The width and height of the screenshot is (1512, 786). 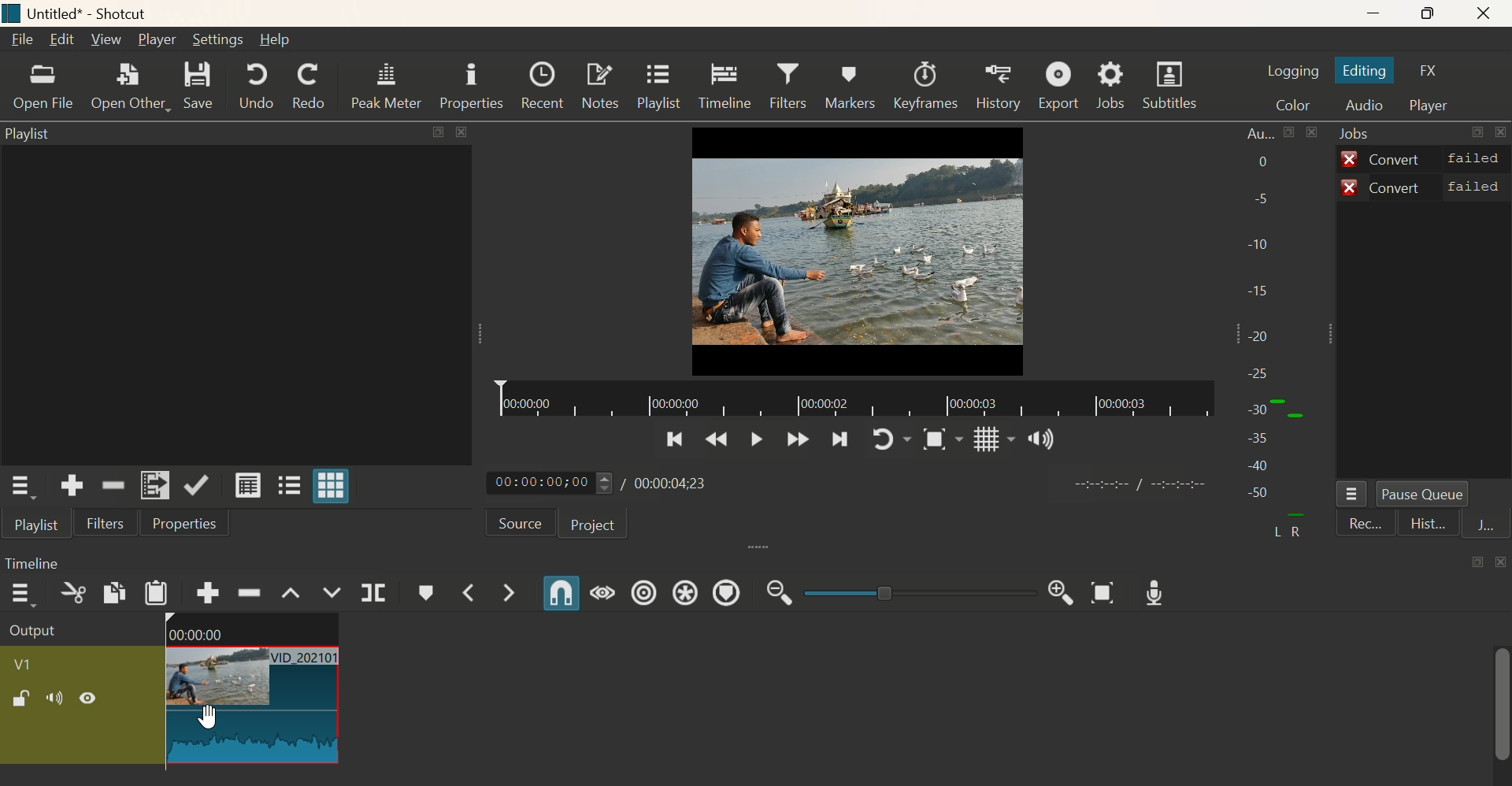 What do you see at coordinates (556, 595) in the screenshot?
I see `Snap` at bounding box center [556, 595].